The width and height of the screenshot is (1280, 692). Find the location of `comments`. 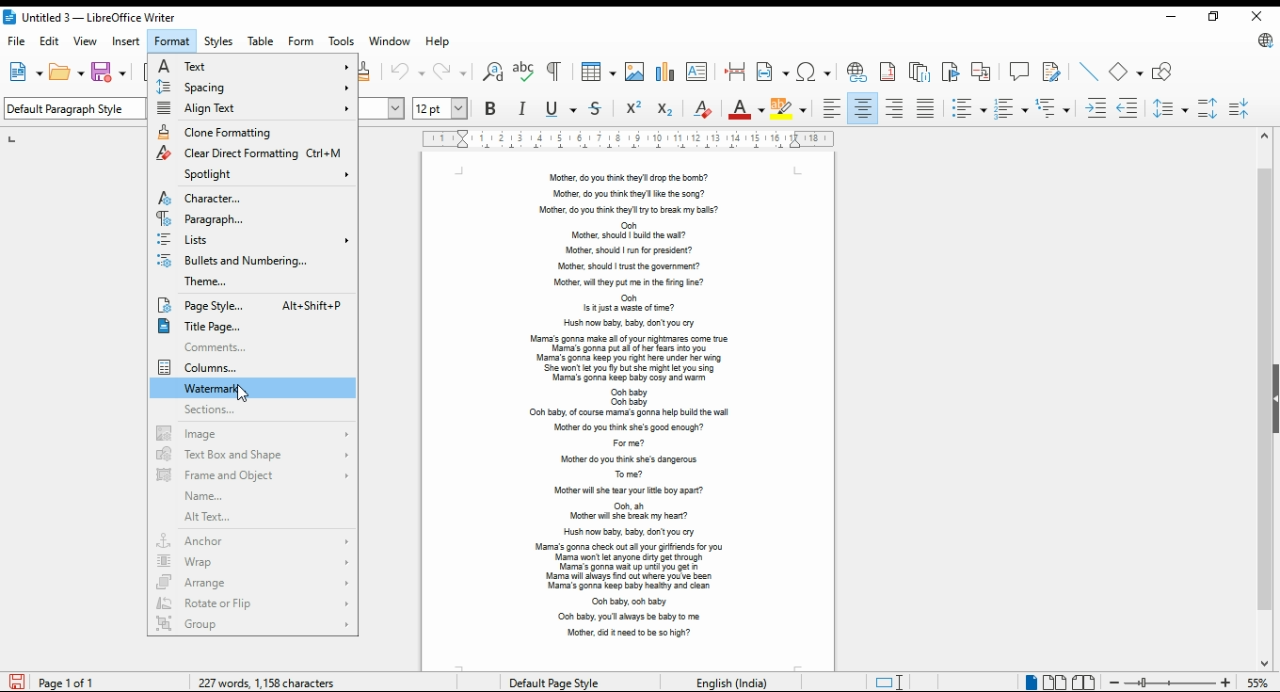

comments is located at coordinates (254, 347).